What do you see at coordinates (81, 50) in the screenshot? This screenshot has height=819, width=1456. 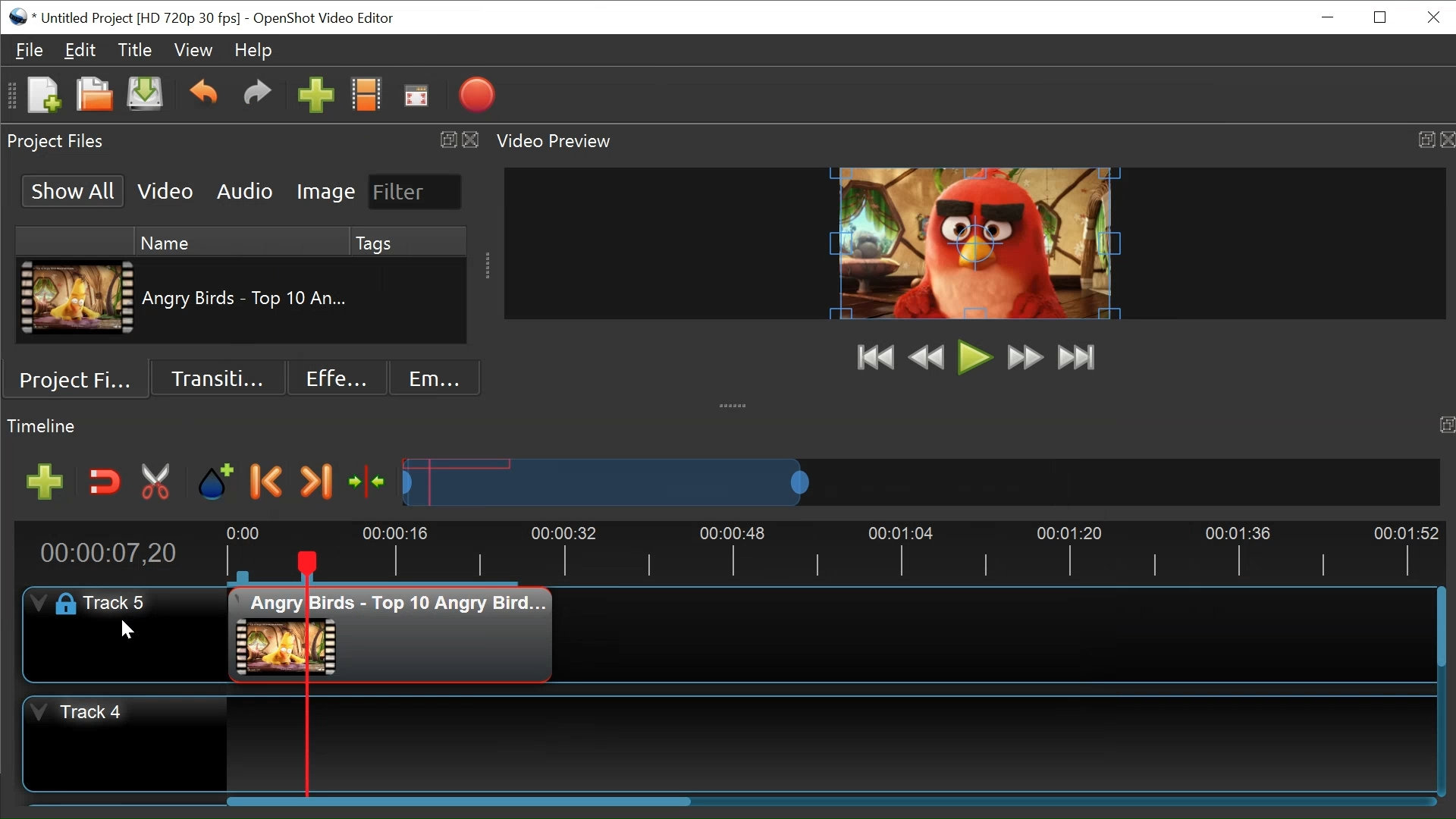 I see `Edit` at bounding box center [81, 50].